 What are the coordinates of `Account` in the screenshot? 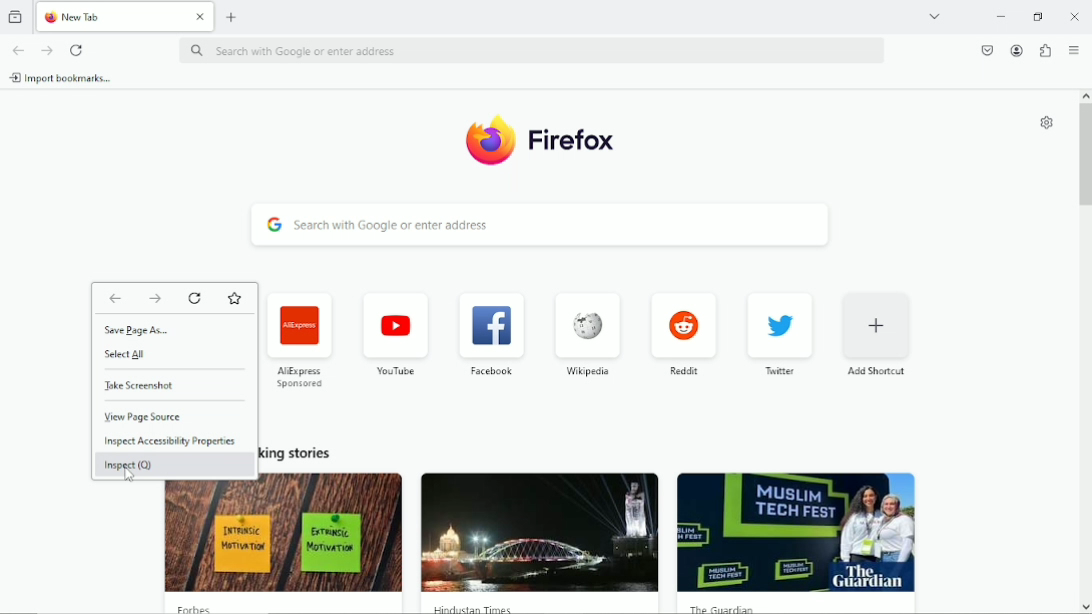 It's located at (1015, 50).